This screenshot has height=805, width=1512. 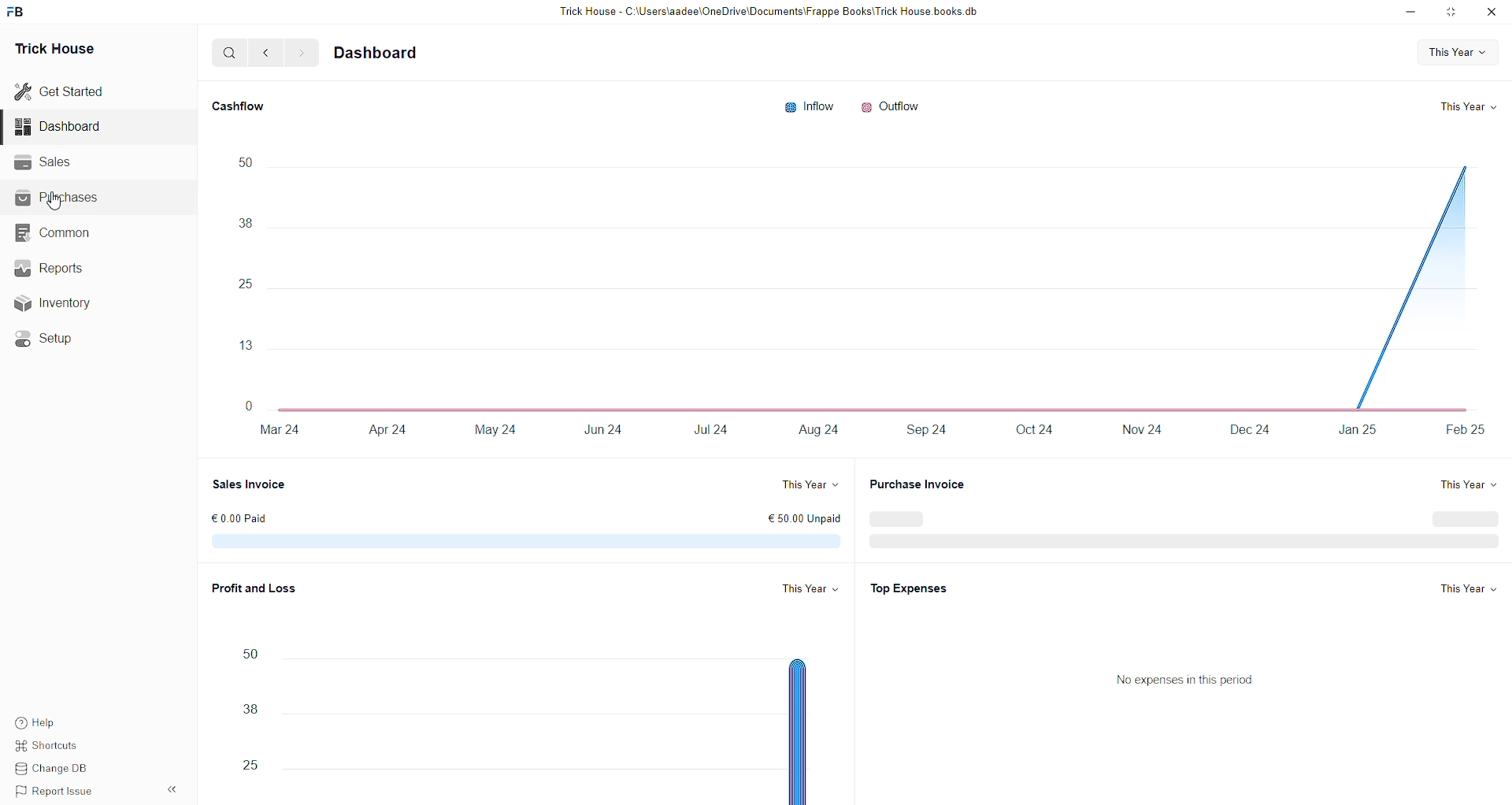 What do you see at coordinates (283, 430) in the screenshot?
I see `Mar 24` at bounding box center [283, 430].